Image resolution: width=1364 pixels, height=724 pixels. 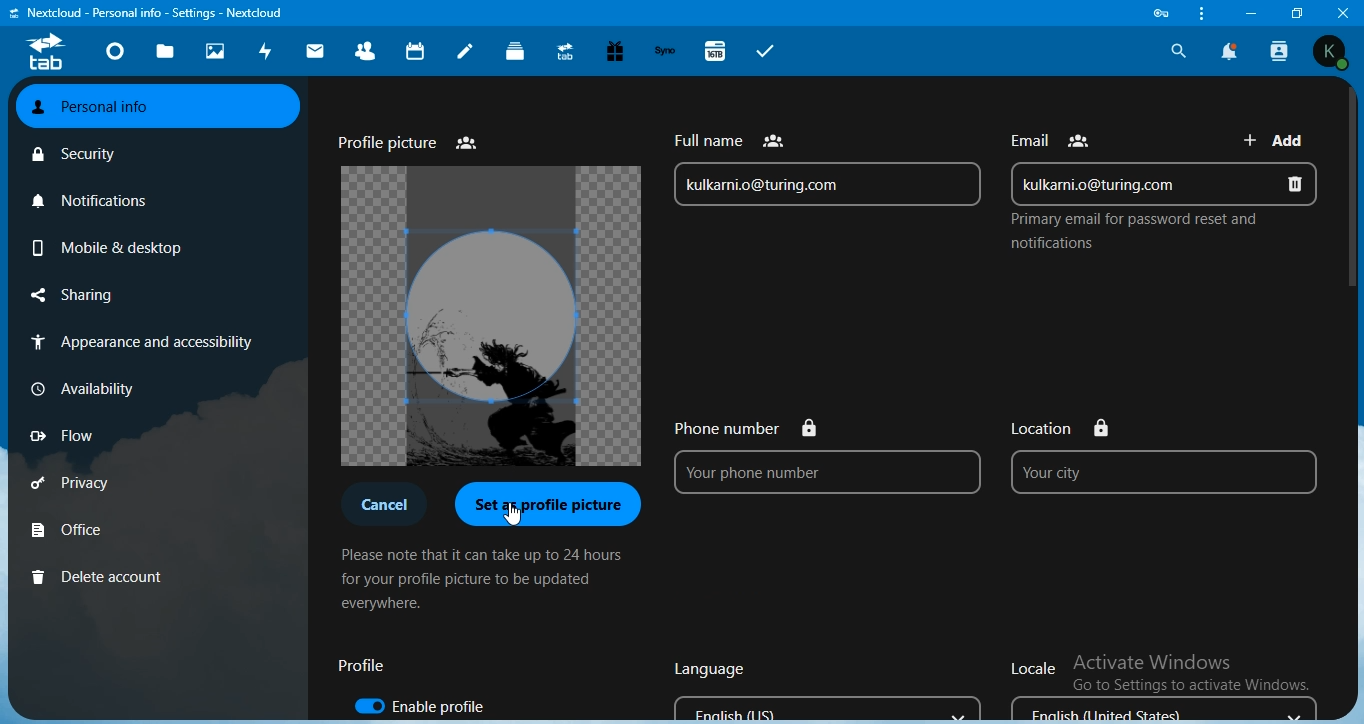 What do you see at coordinates (362, 667) in the screenshot?
I see `Profile` at bounding box center [362, 667].